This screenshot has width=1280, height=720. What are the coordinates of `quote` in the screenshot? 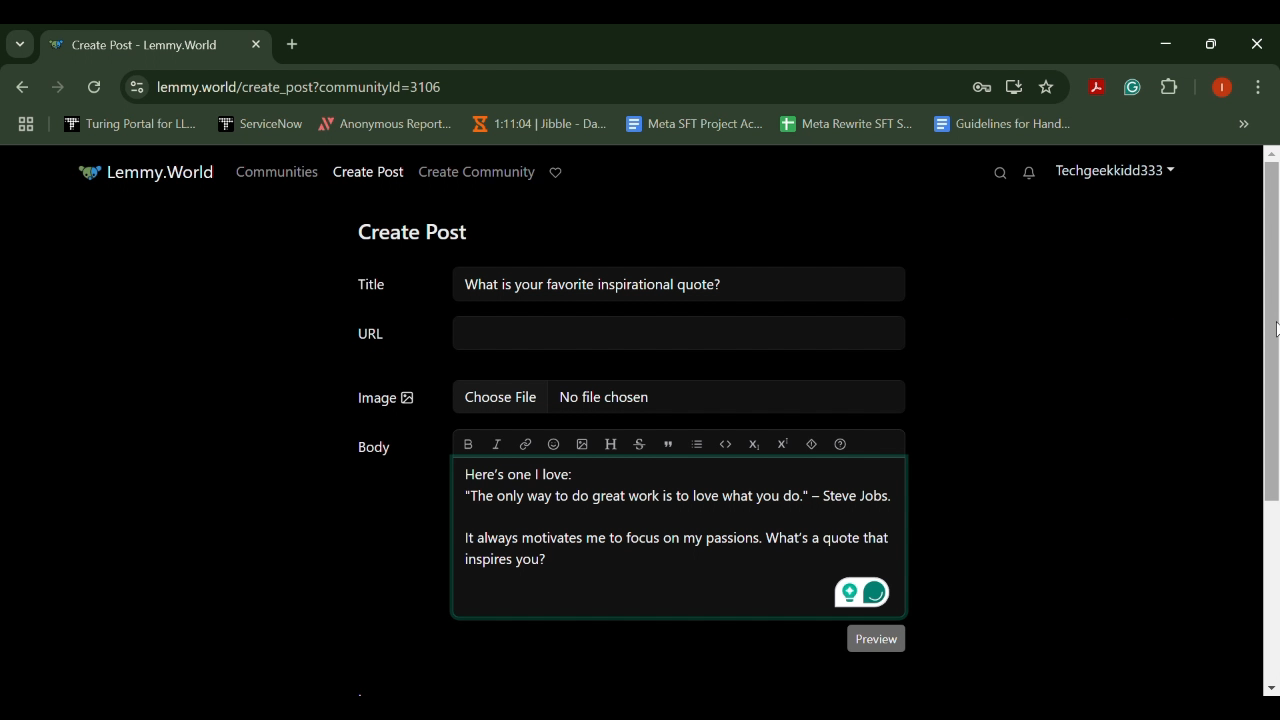 It's located at (667, 442).